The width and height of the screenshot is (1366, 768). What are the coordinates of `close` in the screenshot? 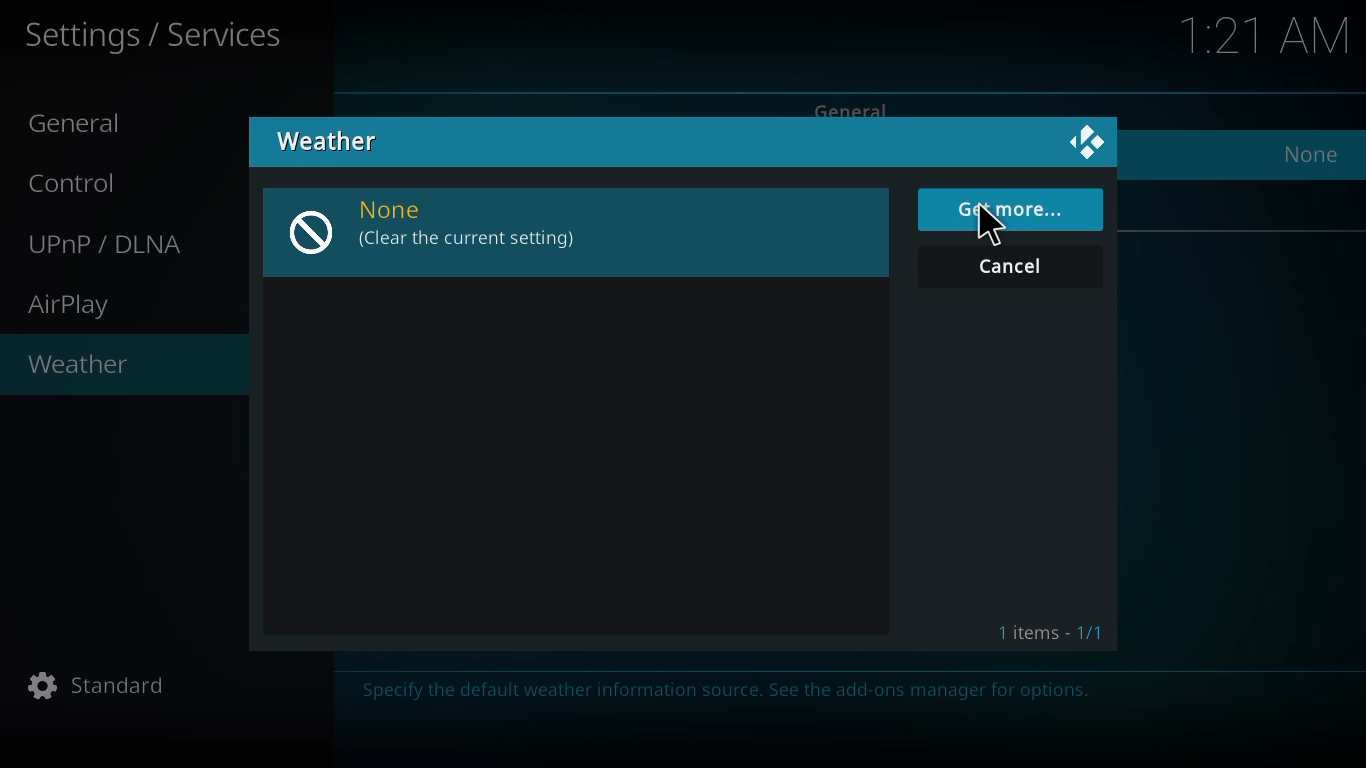 It's located at (1088, 144).